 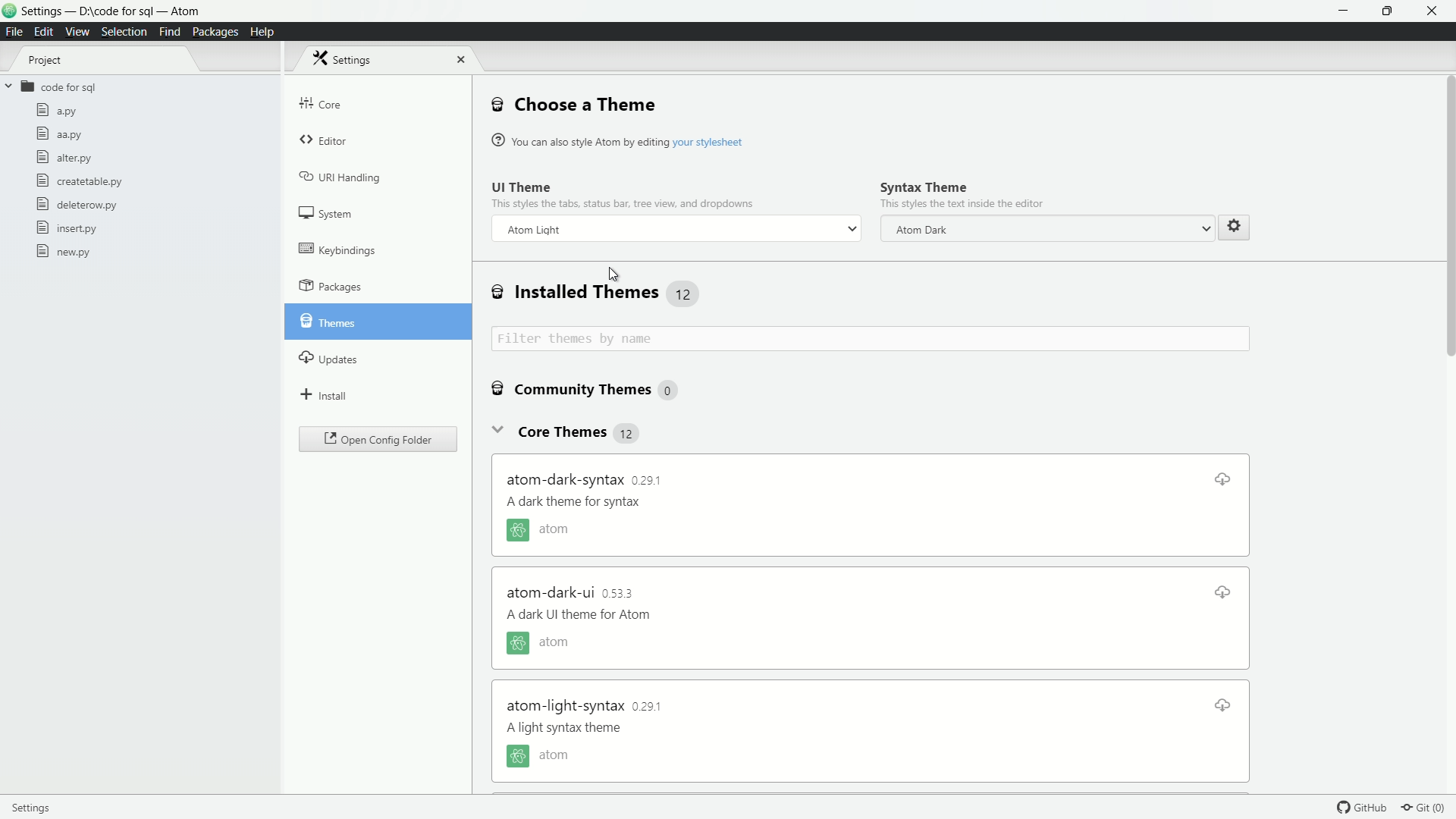 I want to click on aa.py file, so click(x=58, y=134).